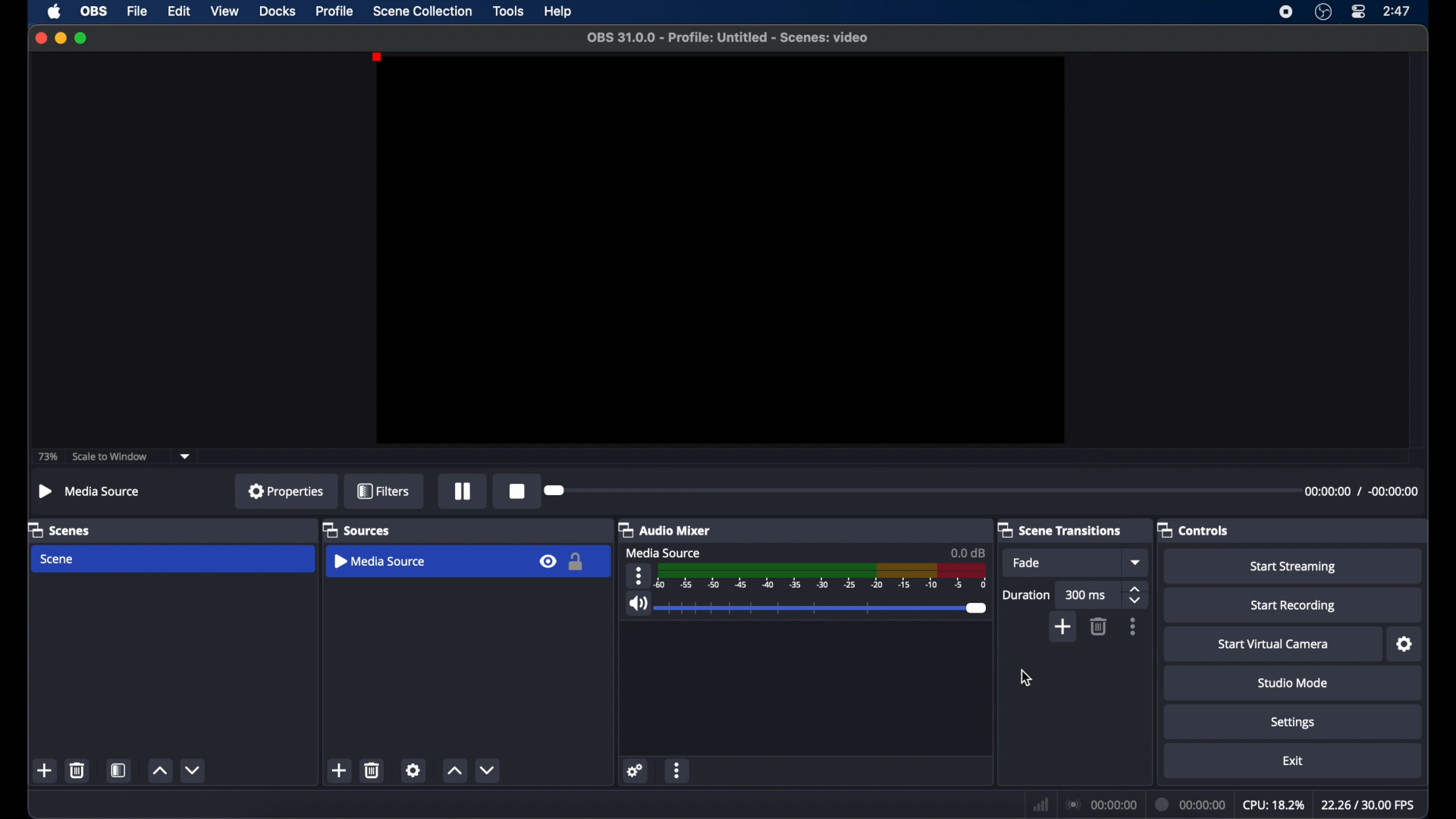 Image resolution: width=1456 pixels, height=819 pixels. What do you see at coordinates (1191, 804) in the screenshot?
I see `duration` at bounding box center [1191, 804].